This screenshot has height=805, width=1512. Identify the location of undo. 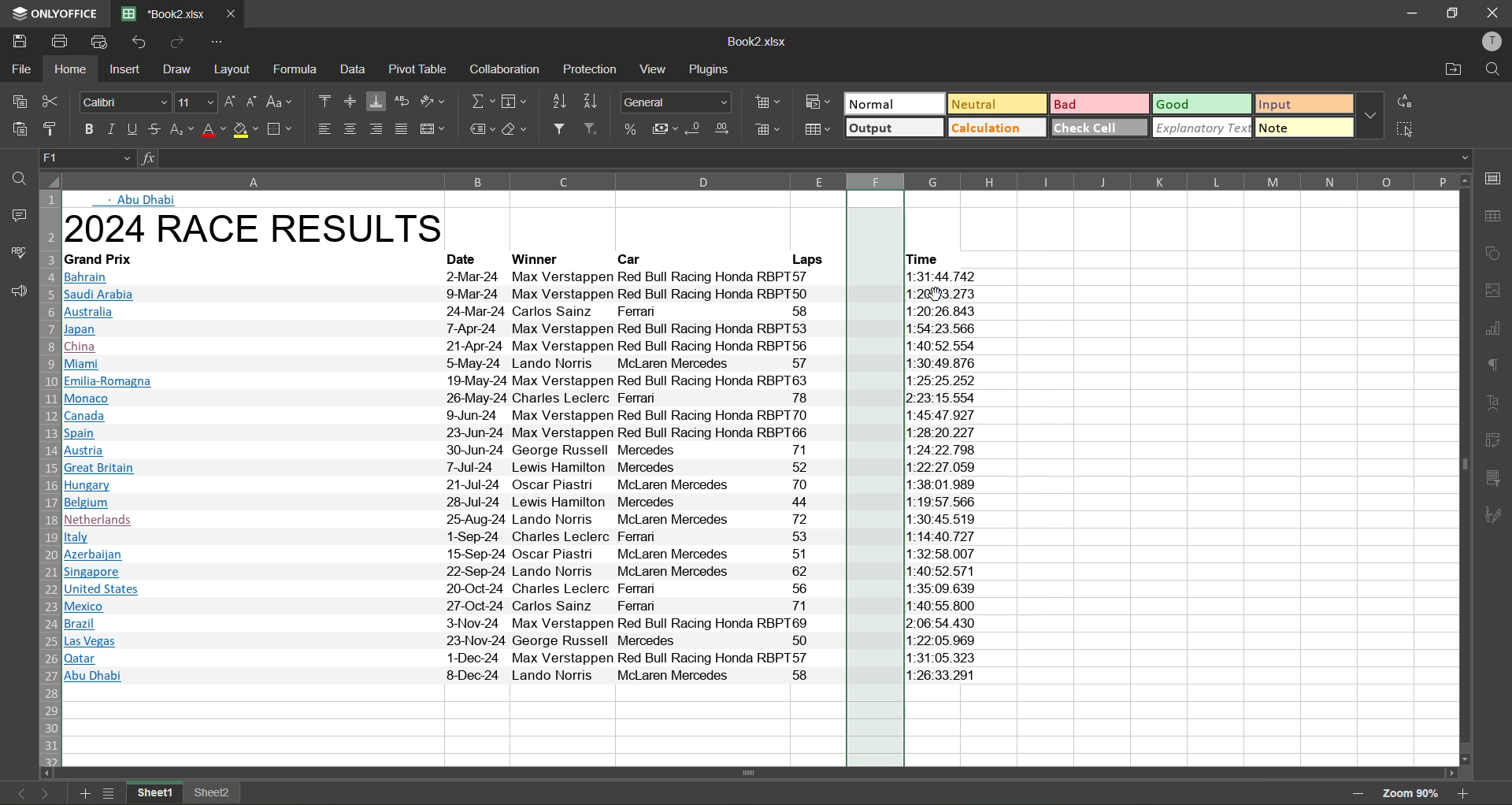
(137, 42).